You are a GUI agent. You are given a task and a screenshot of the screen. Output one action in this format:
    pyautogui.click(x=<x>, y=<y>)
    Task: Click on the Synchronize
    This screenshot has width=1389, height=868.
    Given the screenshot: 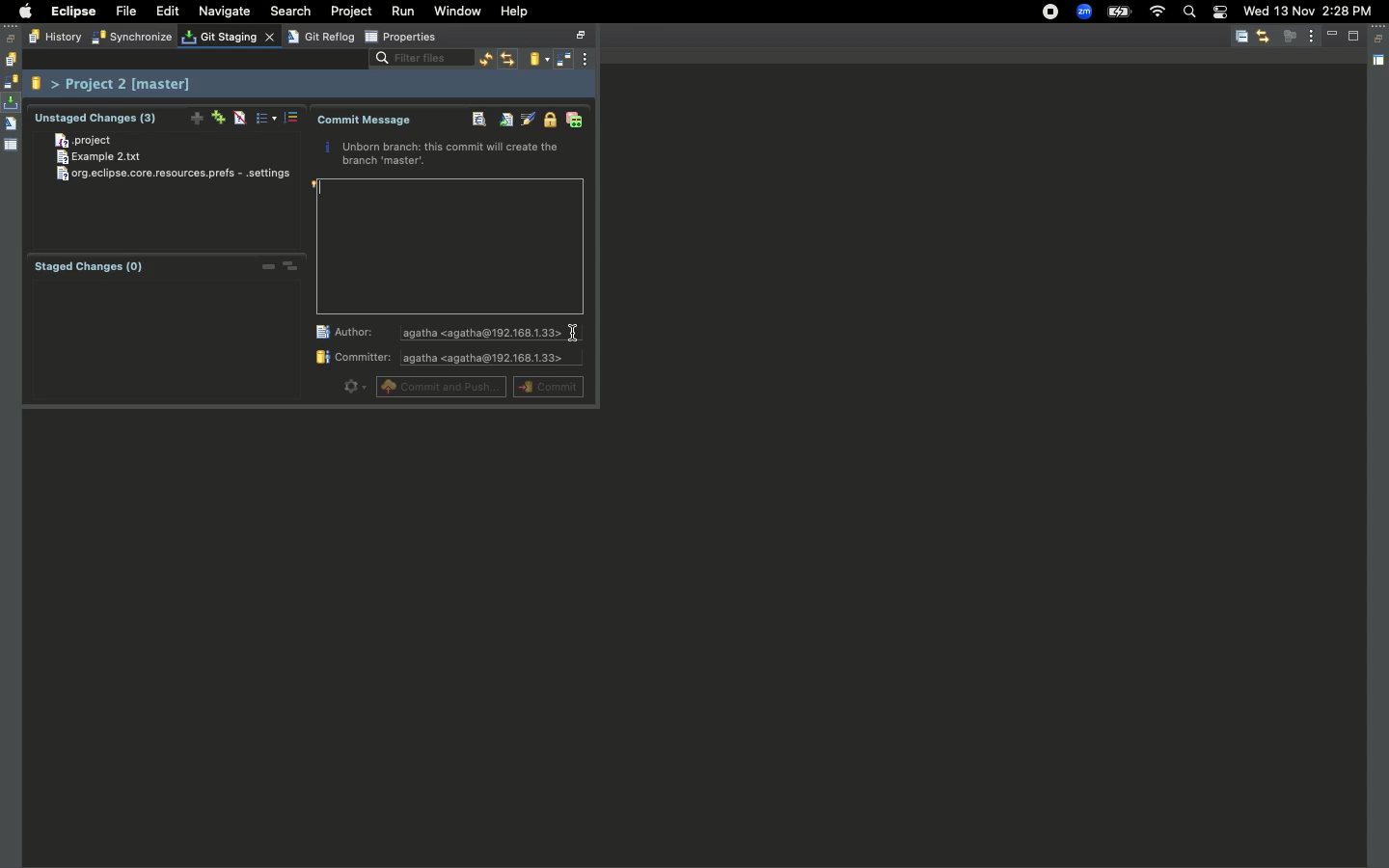 What is the action you would take?
    pyautogui.click(x=11, y=82)
    